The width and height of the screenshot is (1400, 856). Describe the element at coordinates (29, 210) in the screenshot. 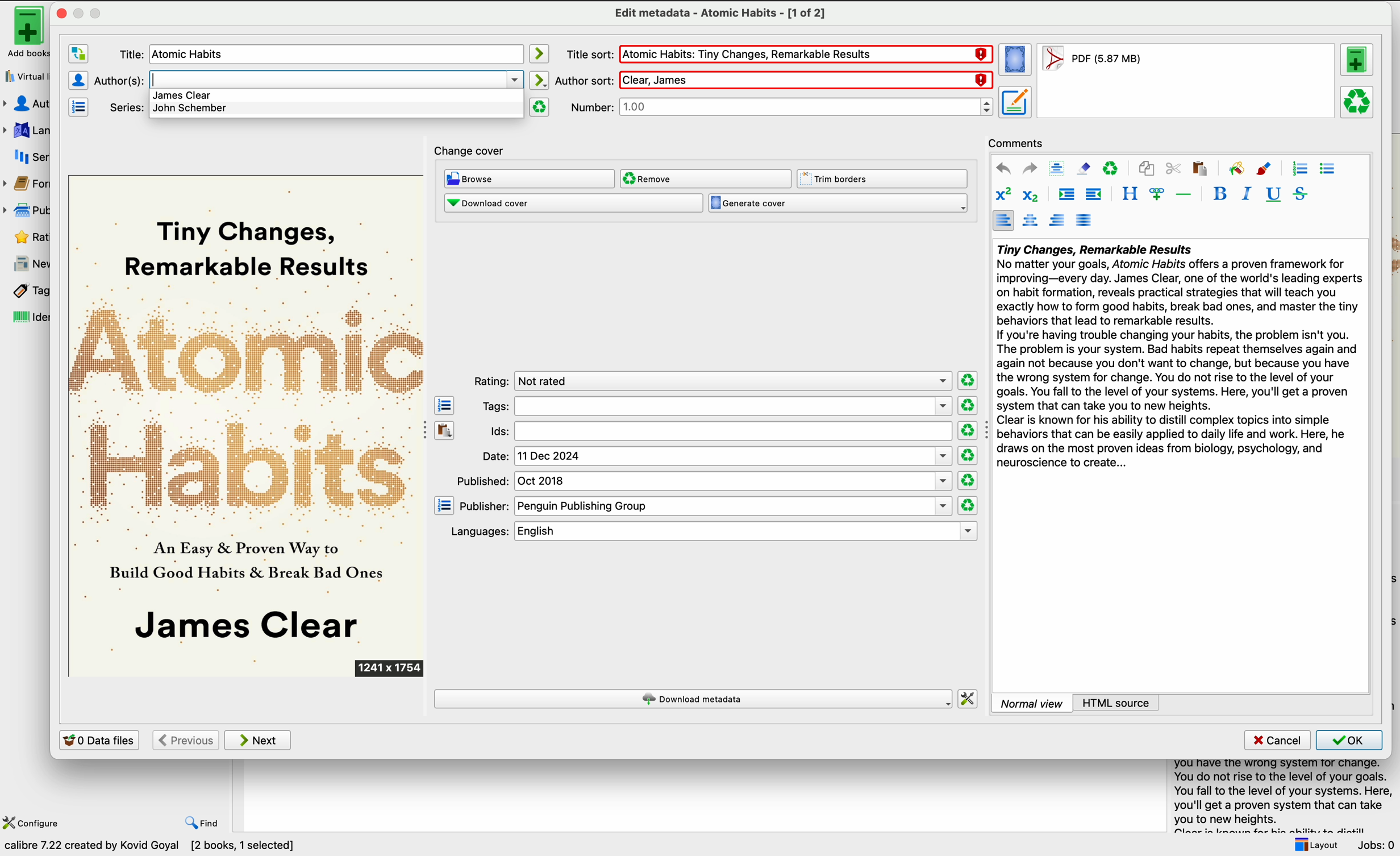

I see `publisher` at that location.